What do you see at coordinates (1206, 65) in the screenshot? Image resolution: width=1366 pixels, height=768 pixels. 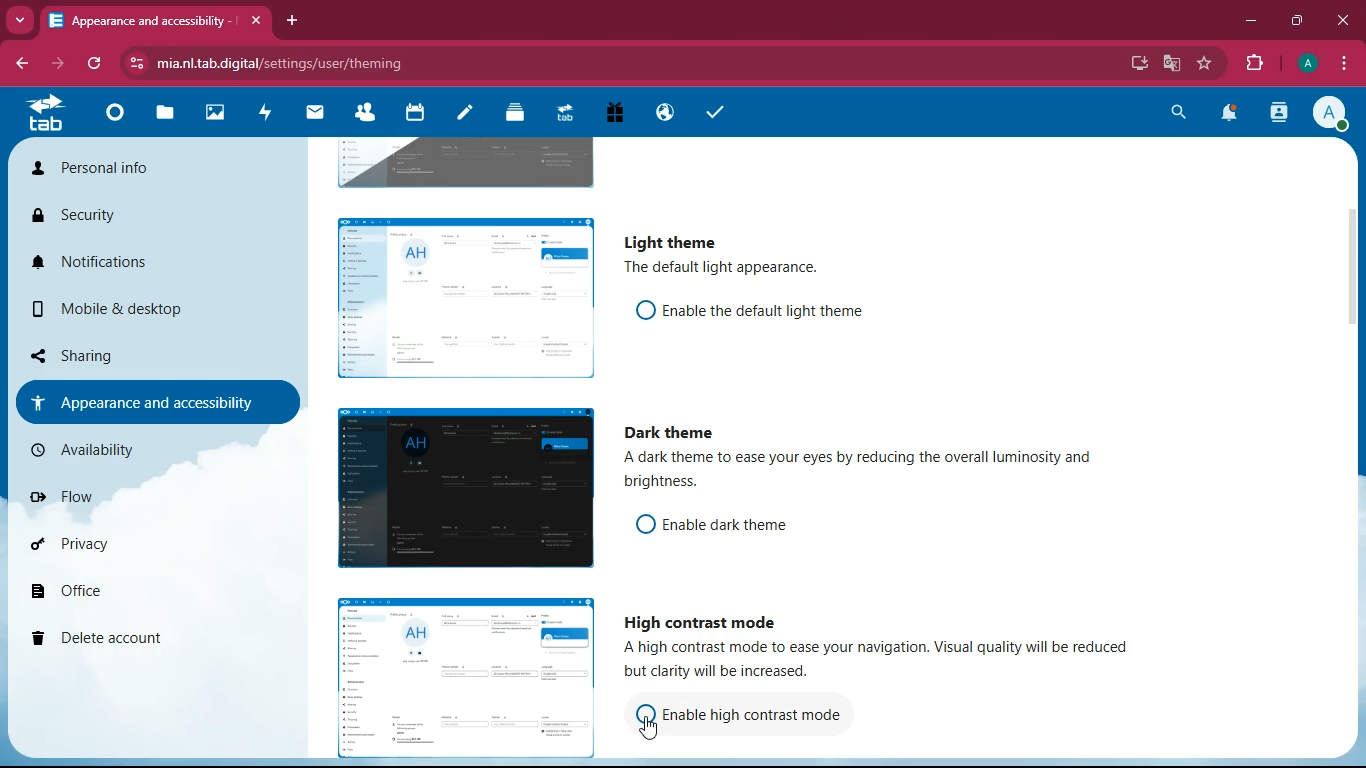 I see `favourite` at bounding box center [1206, 65].